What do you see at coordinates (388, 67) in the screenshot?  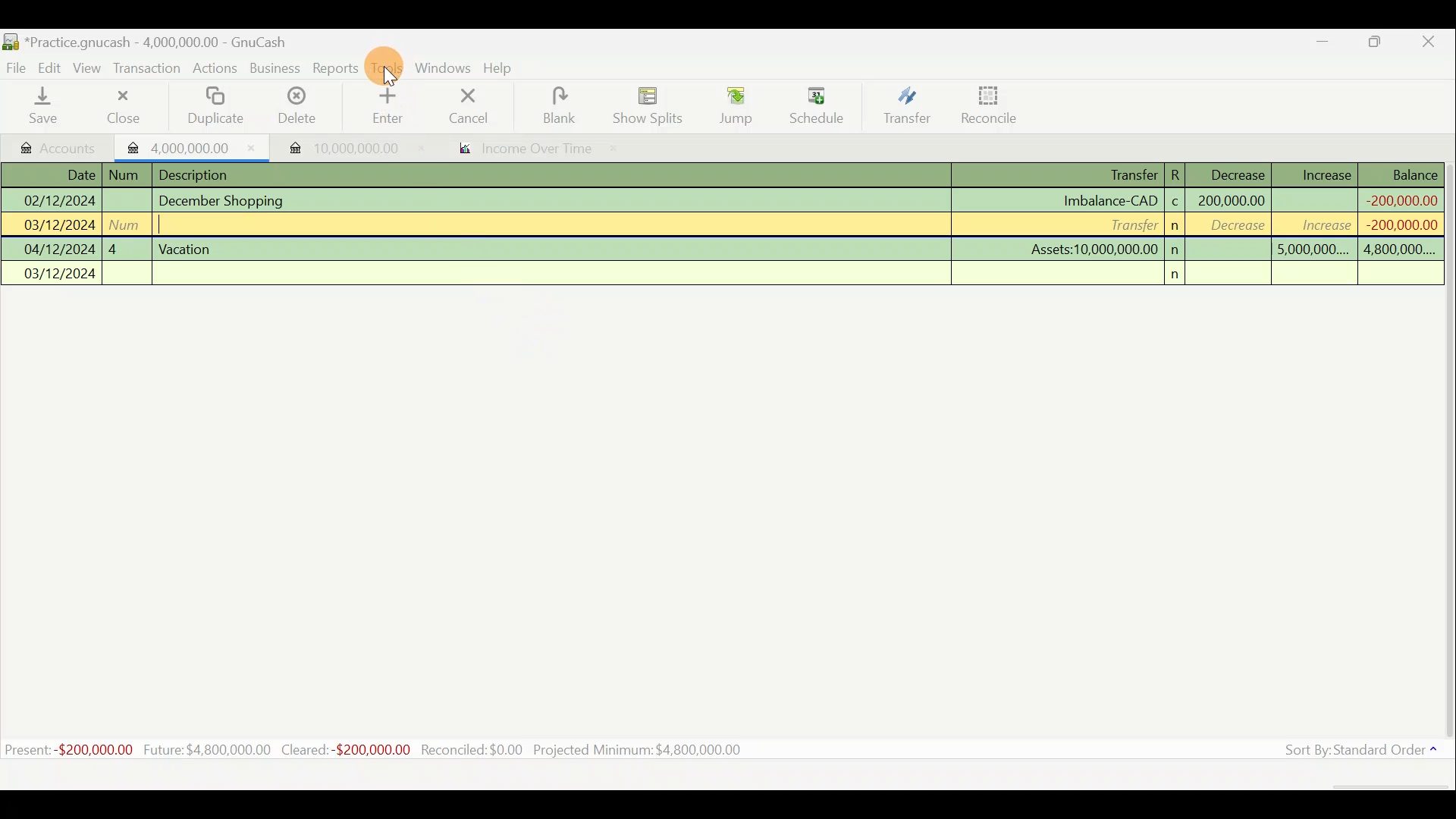 I see `Tools` at bounding box center [388, 67].